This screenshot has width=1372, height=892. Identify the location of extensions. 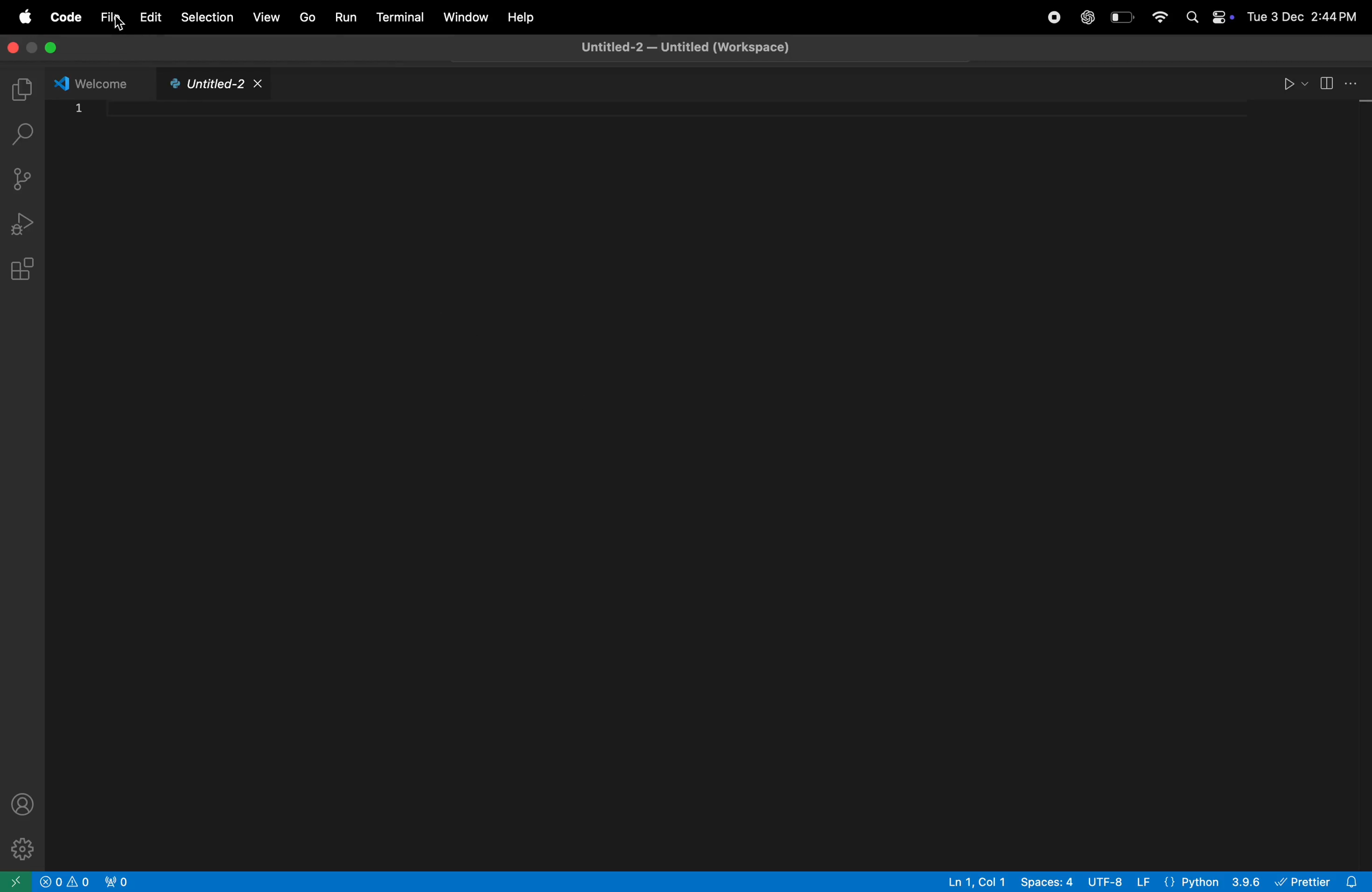
(25, 271).